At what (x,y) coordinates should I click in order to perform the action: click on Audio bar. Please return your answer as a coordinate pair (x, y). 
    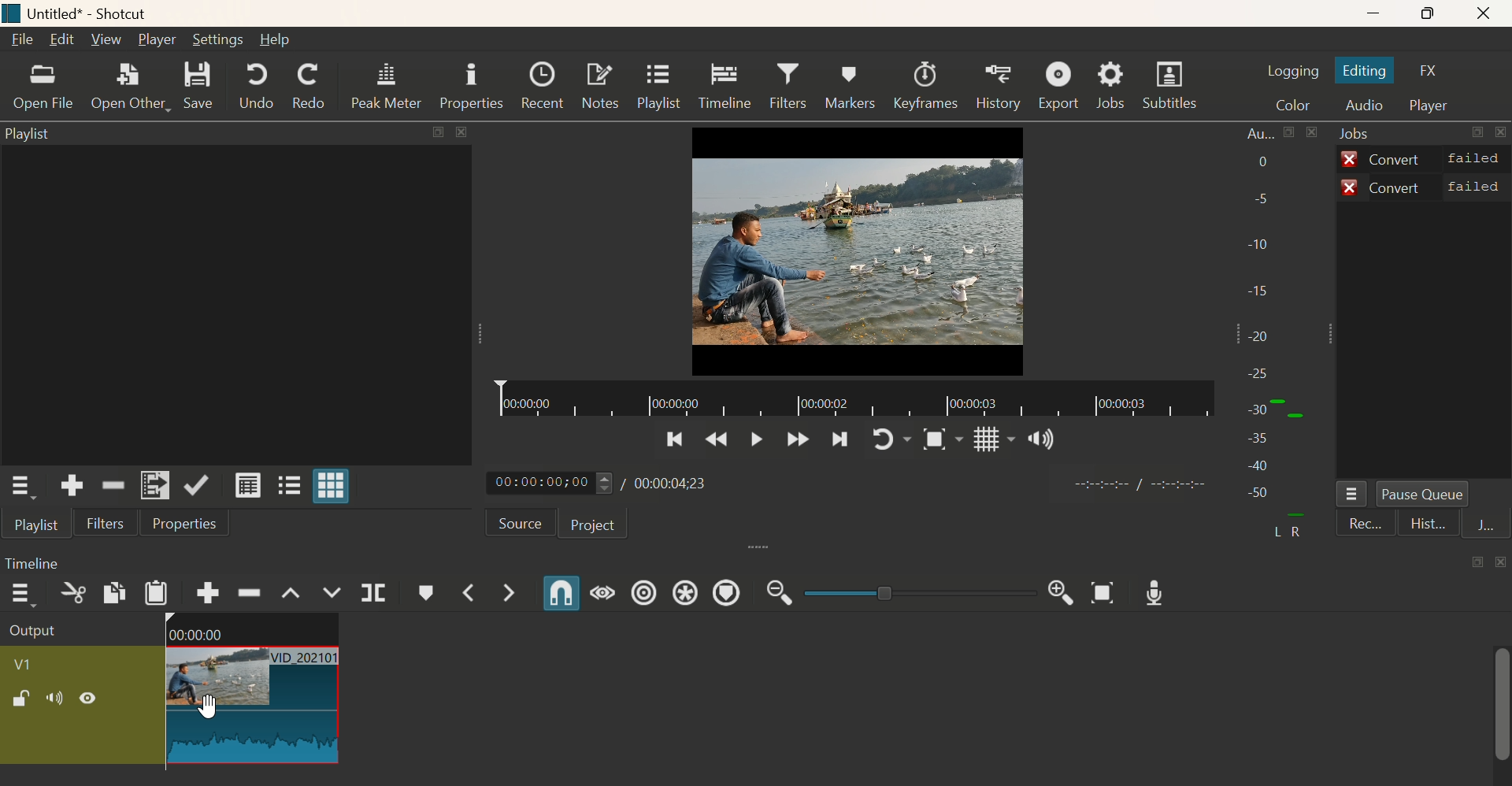
    Looking at the image, I should click on (1271, 335).